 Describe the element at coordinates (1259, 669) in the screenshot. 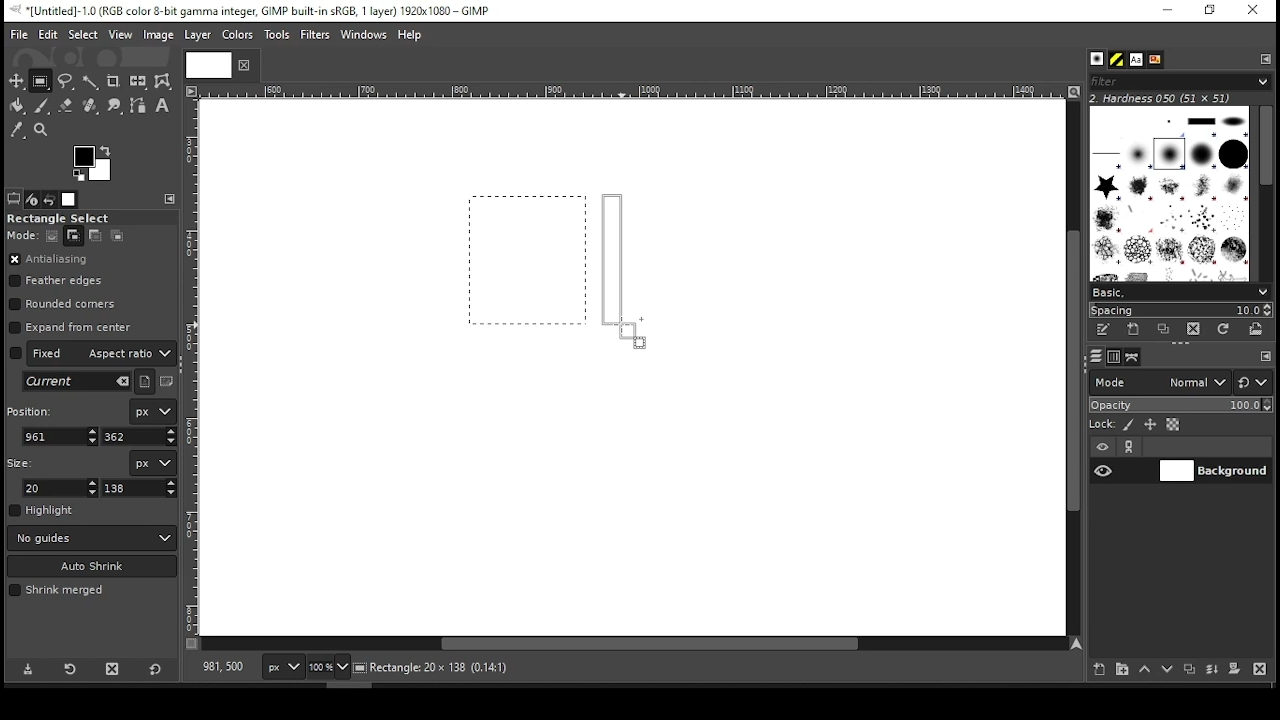

I see `delete layer` at that location.